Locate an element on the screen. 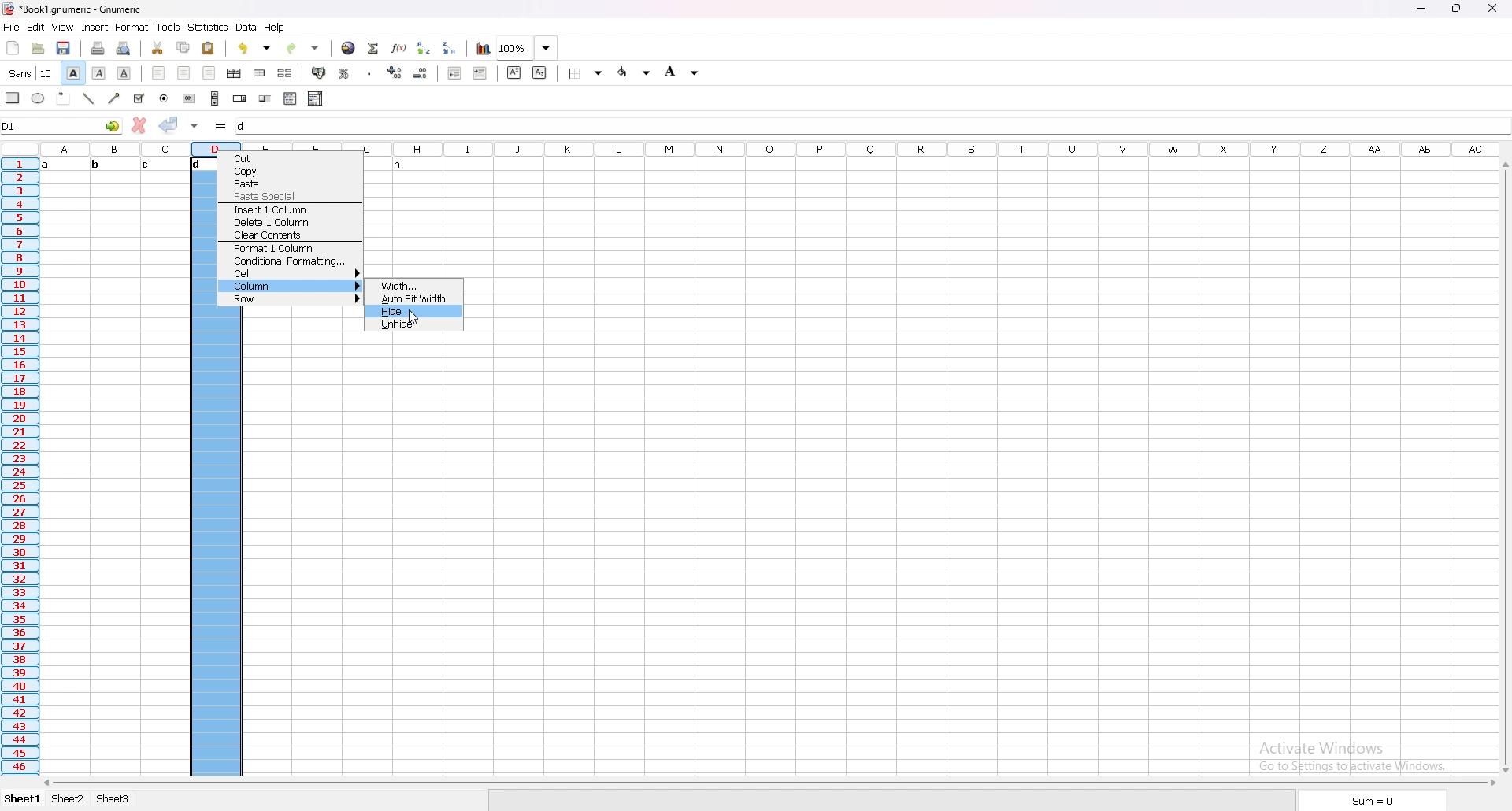 Image resolution: width=1512 pixels, height=811 pixels. scroll bar is located at coordinates (768, 783).